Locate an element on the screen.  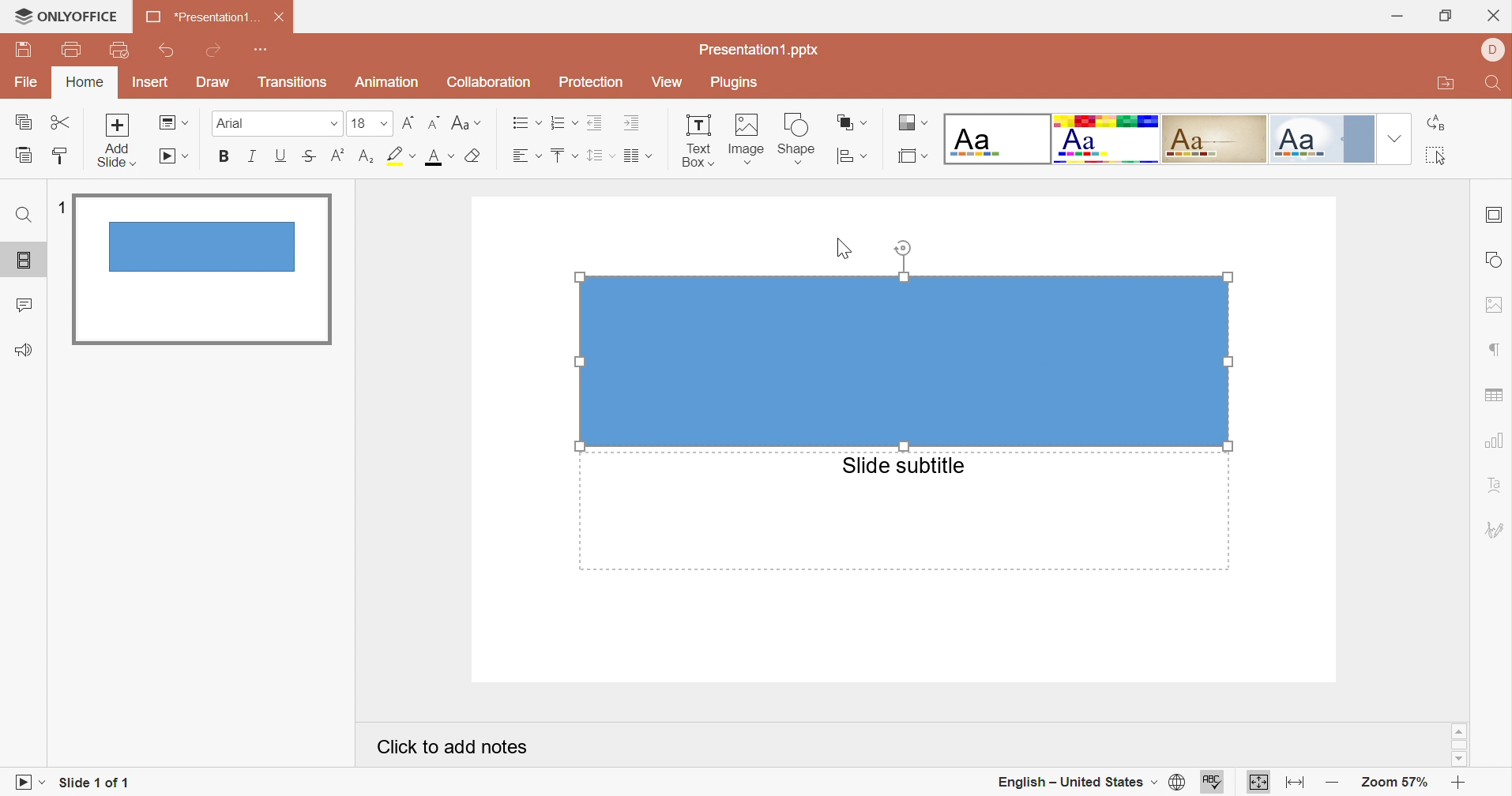
Shape settings is located at coordinates (1495, 260).